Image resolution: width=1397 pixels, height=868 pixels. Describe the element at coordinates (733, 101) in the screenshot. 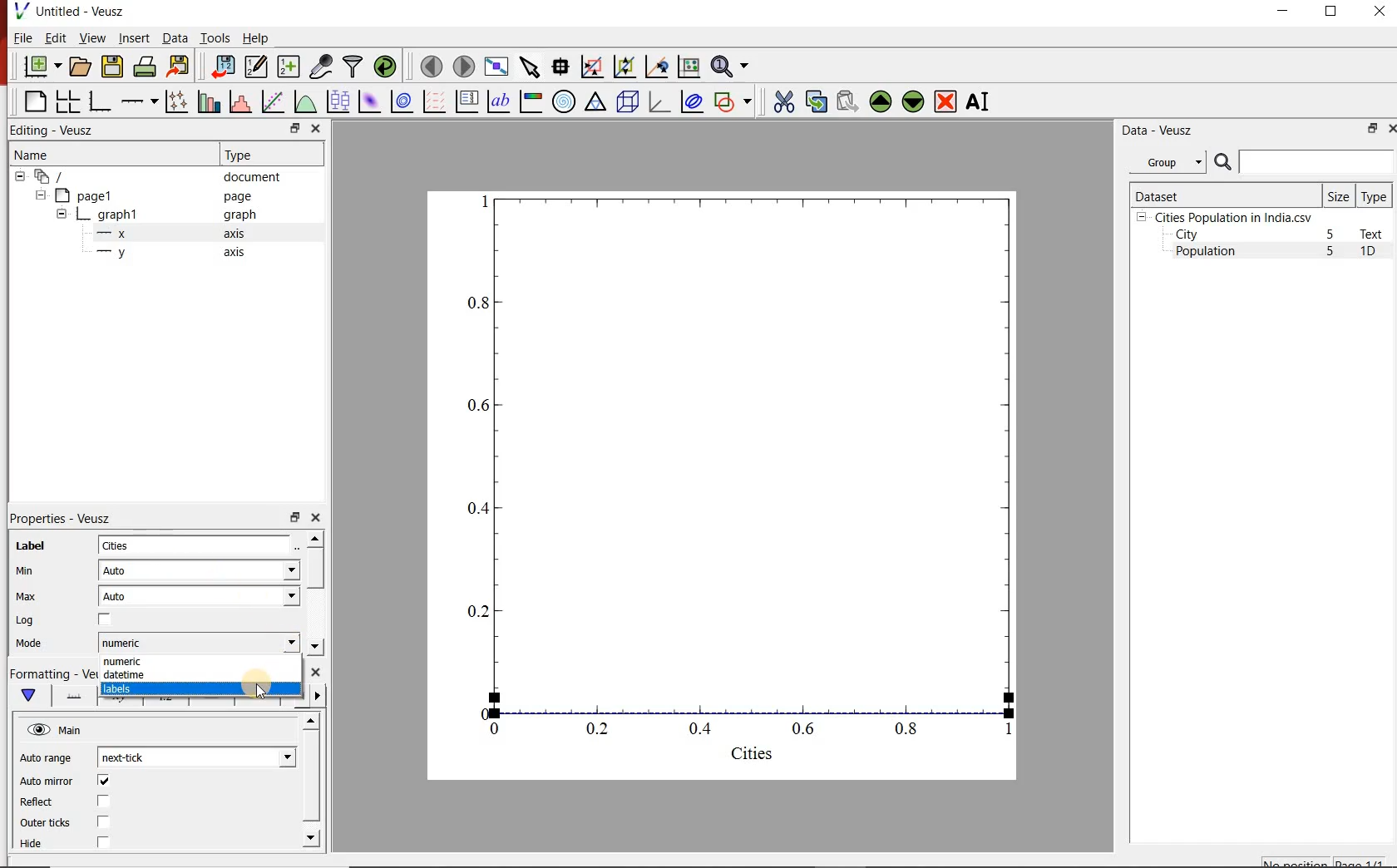

I see `add a shape to the plot` at that location.